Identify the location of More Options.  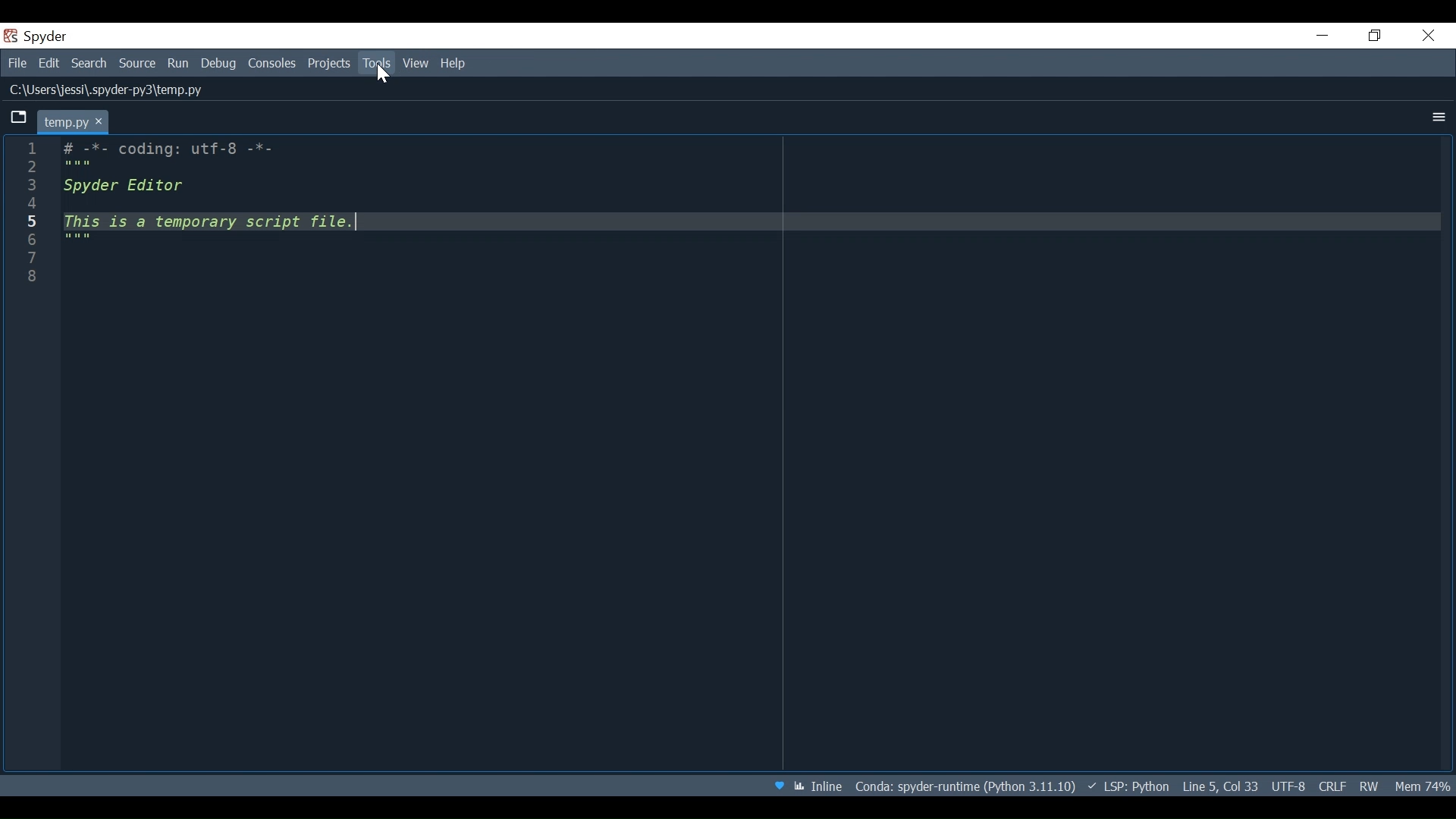
(1436, 117).